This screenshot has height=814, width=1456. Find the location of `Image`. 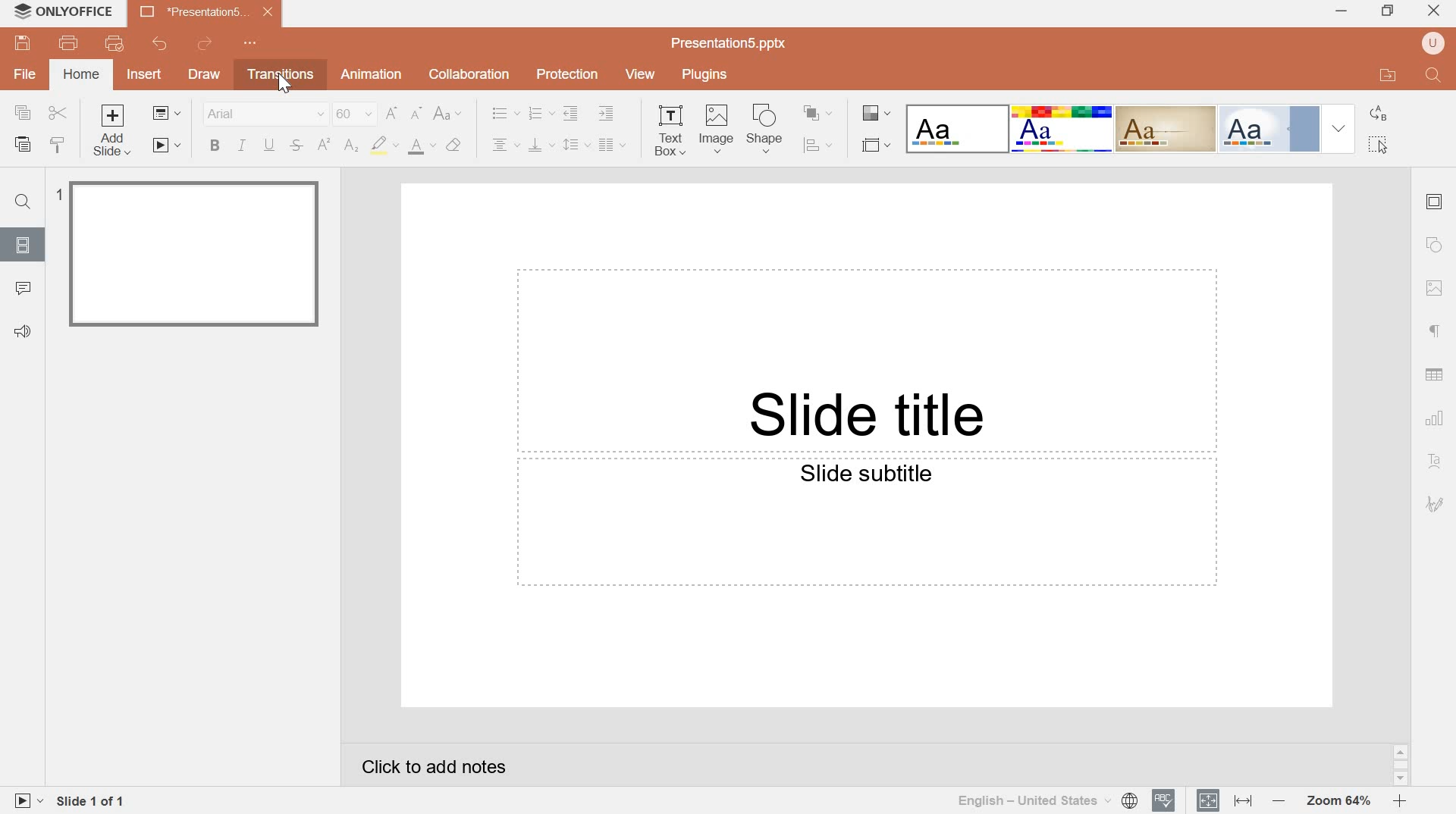

Image is located at coordinates (719, 129).